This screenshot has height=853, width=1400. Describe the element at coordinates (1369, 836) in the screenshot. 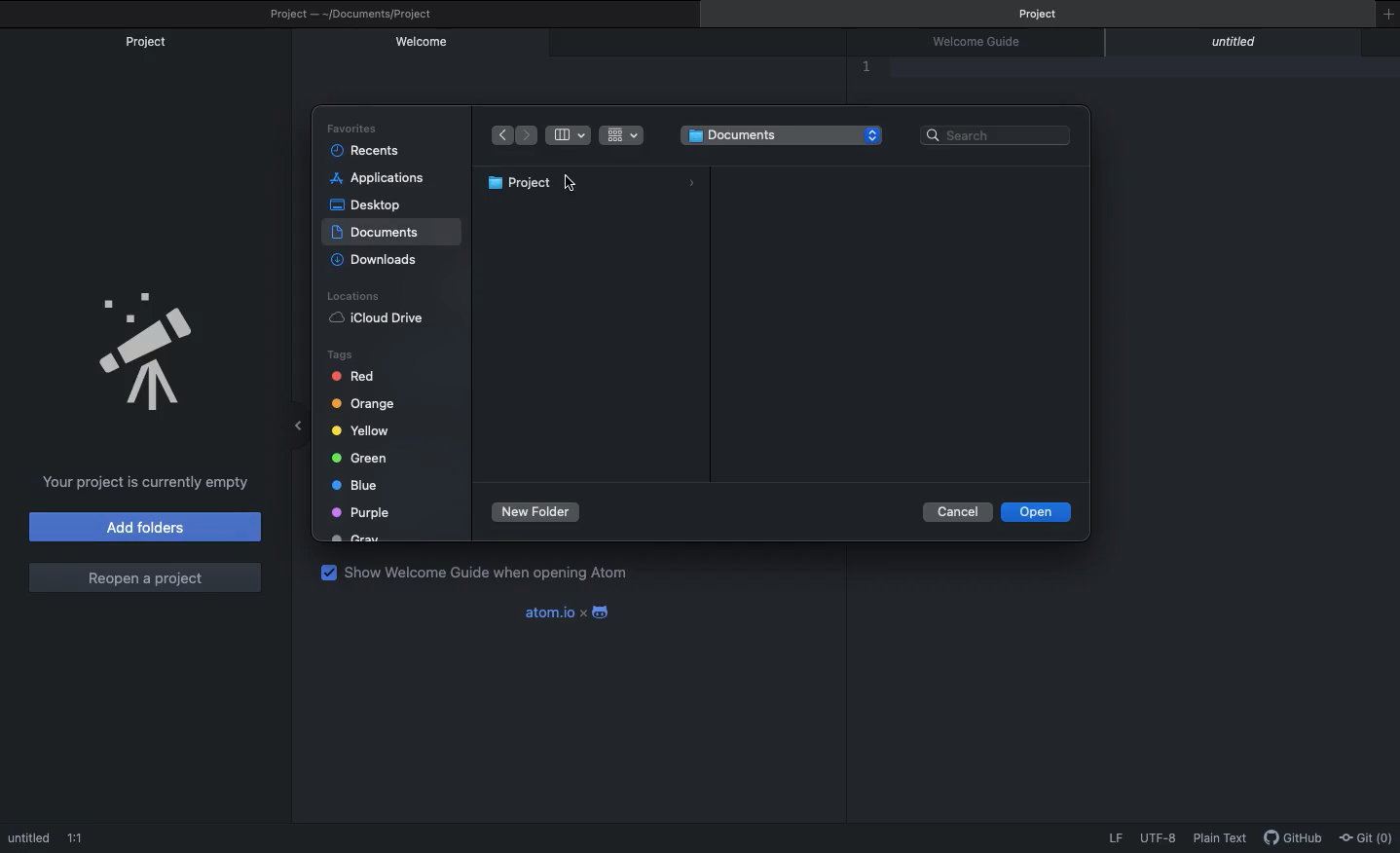

I see `Git` at that location.